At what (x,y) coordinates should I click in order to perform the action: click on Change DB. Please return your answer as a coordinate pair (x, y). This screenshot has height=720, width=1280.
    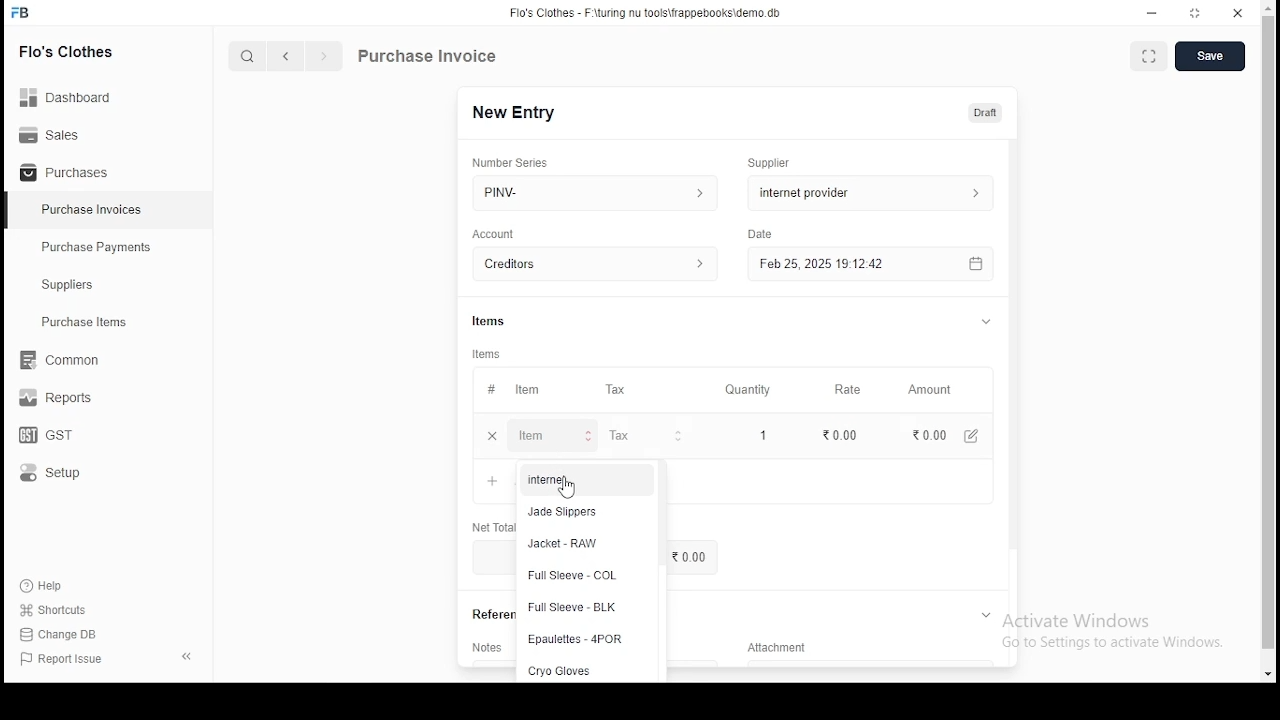
    Looking at the image, I should click on (65, 635).